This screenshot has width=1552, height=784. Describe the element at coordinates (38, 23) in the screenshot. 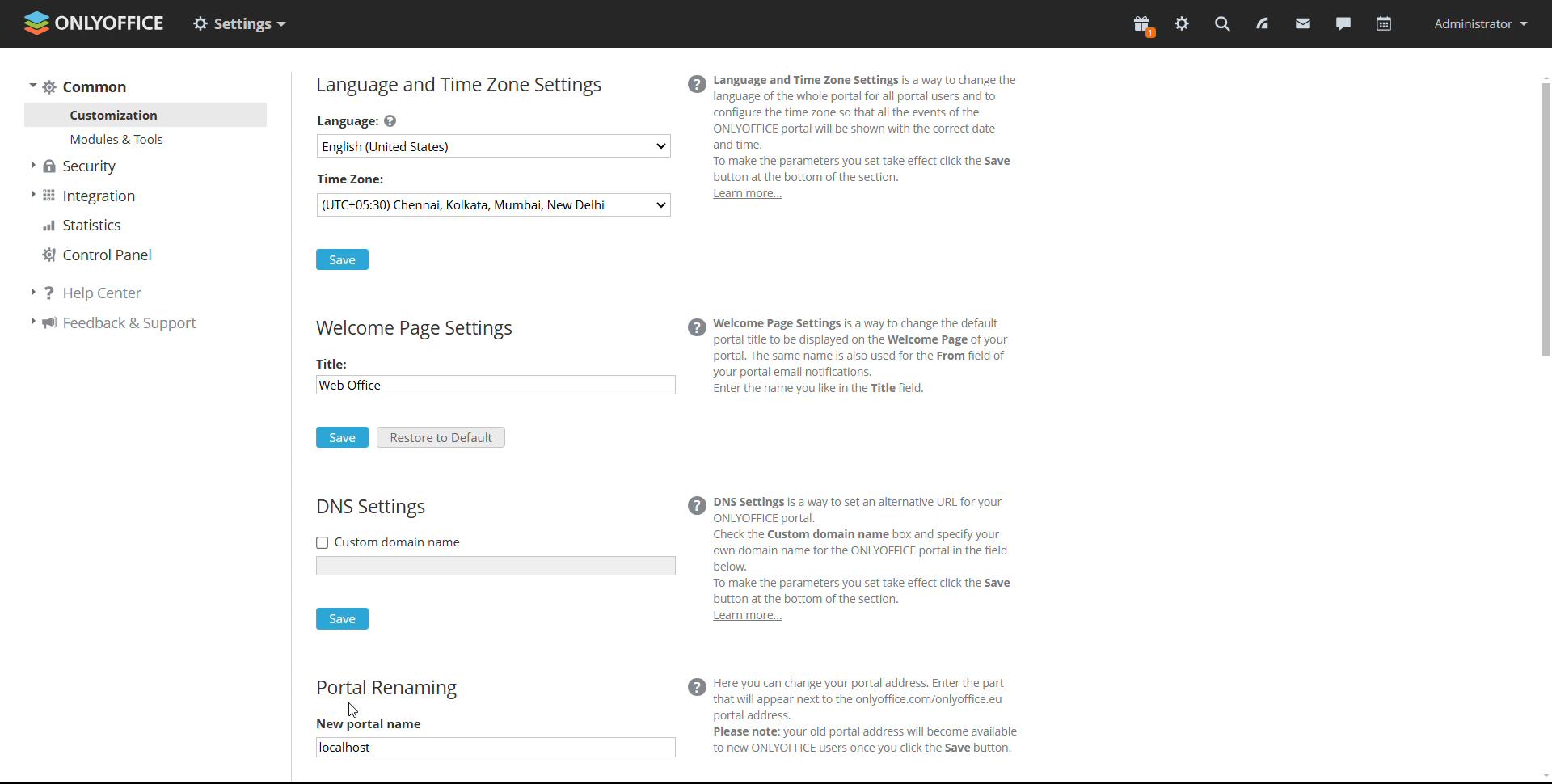

I see `onlyoffice logo` at that location.